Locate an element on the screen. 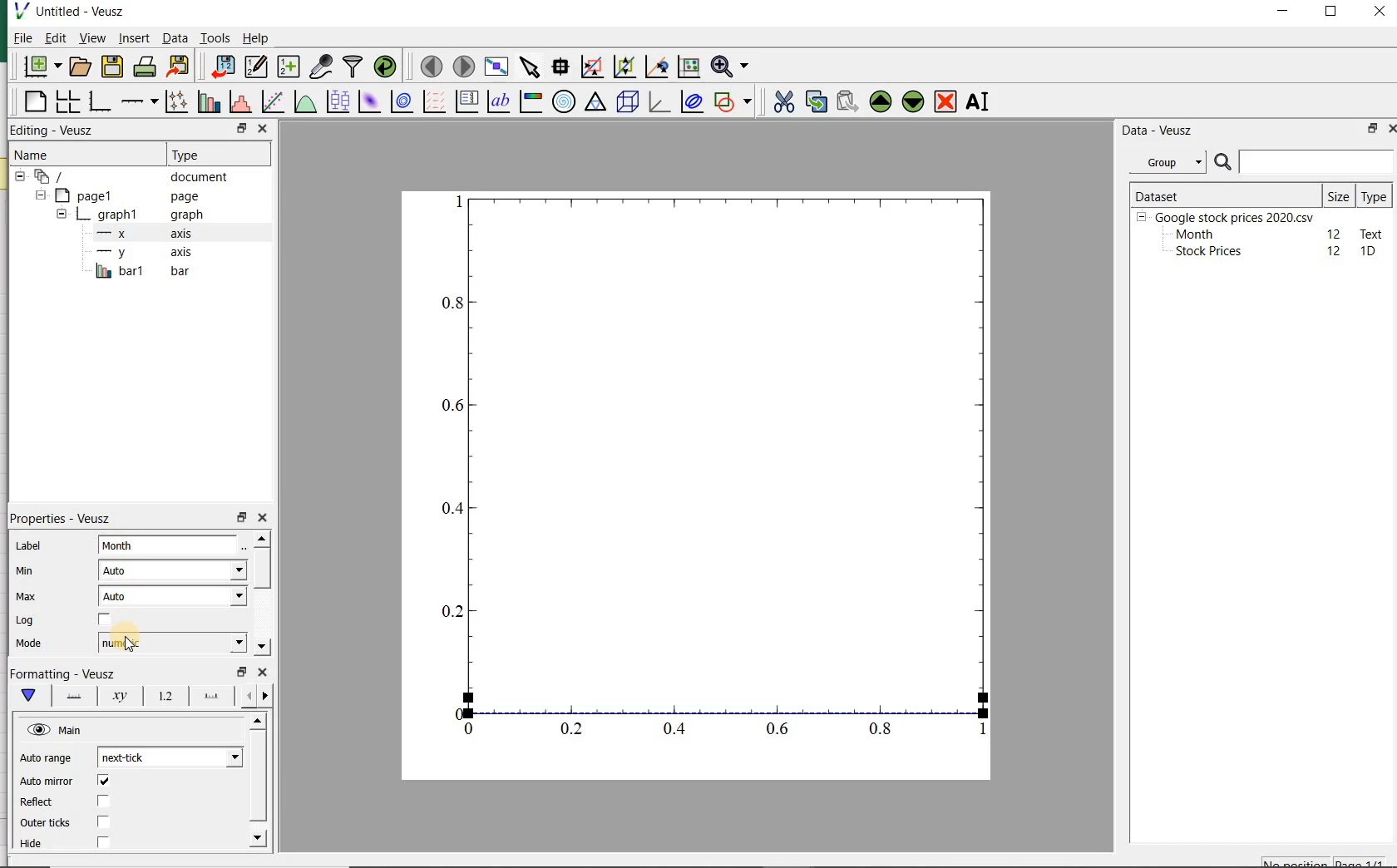  bar1 is located at coordinates (138, 272).